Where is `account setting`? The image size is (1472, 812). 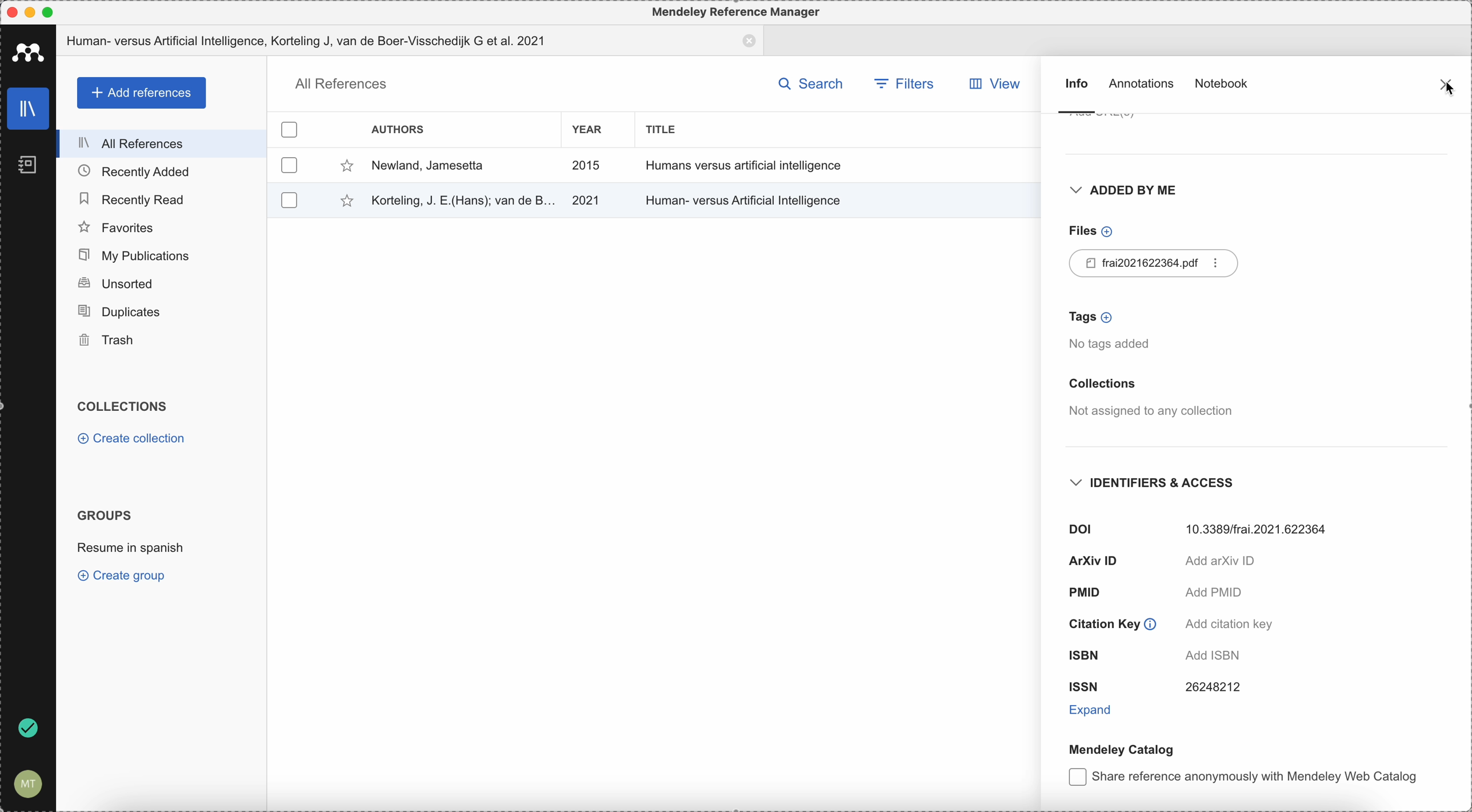
account setting is located at coordinates (29, 783).